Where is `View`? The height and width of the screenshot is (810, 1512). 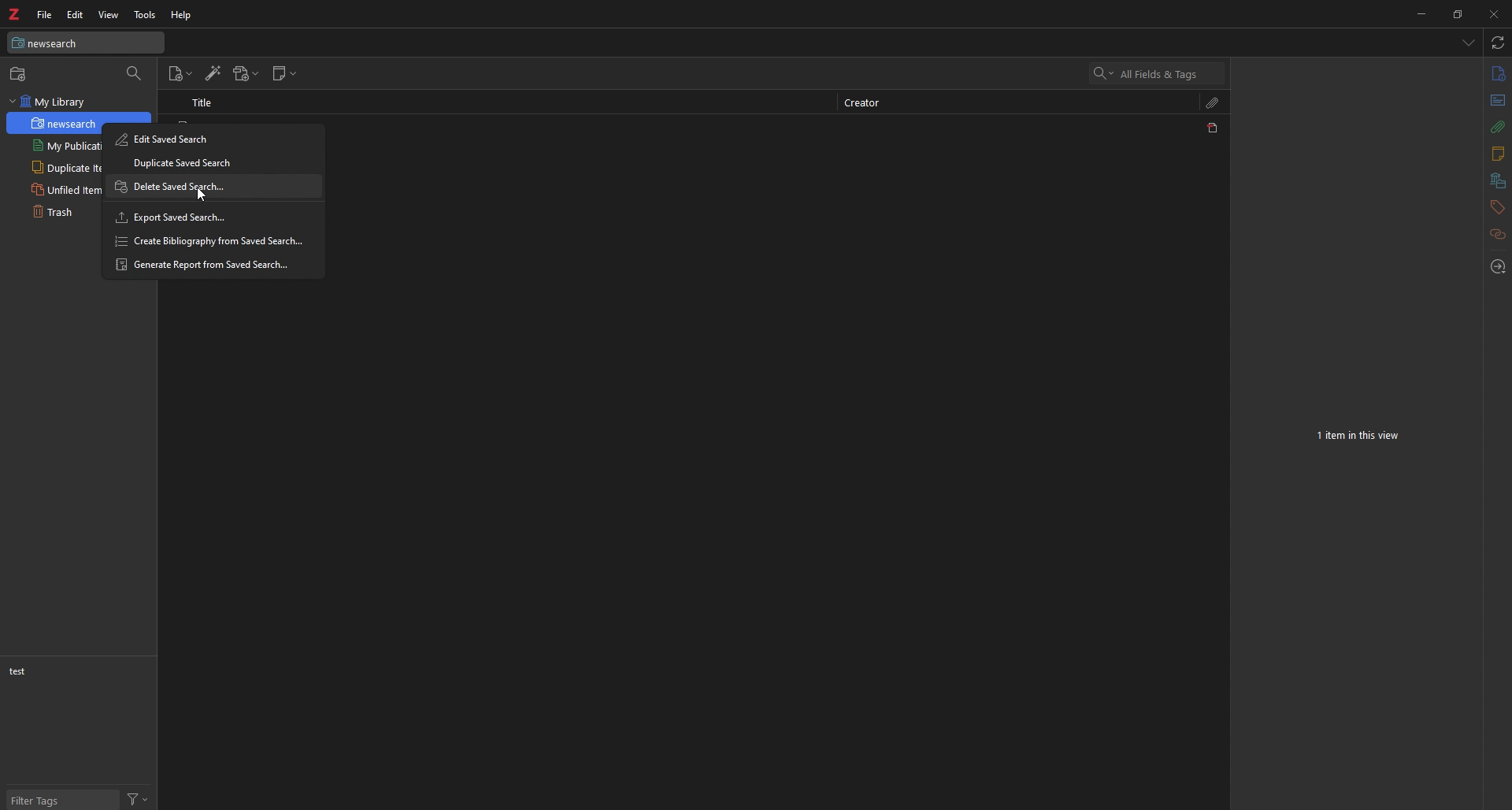
View is located at coordinates (109, 14).